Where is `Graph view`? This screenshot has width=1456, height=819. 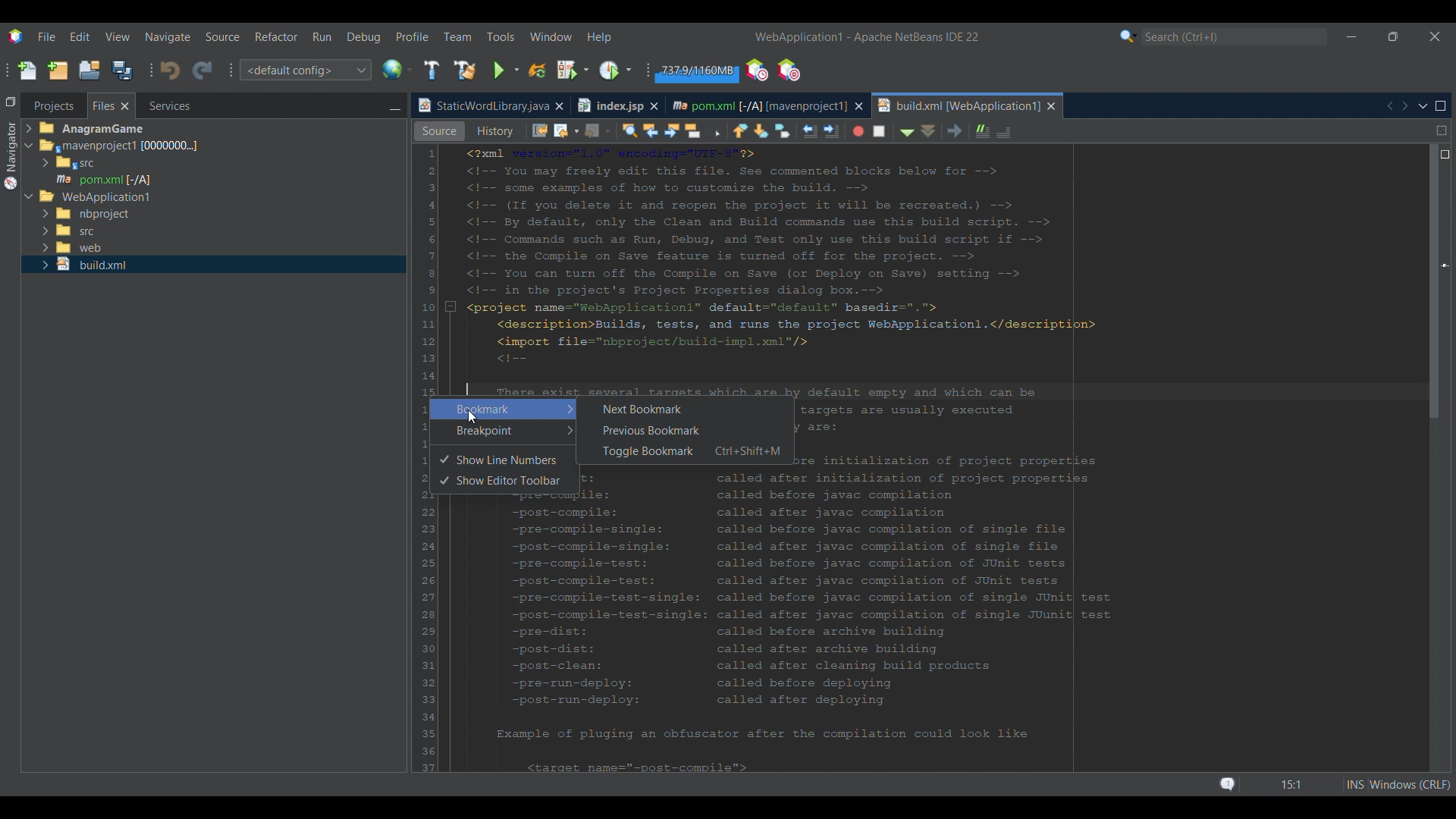
Graph view is located at coordinates (503, 131).